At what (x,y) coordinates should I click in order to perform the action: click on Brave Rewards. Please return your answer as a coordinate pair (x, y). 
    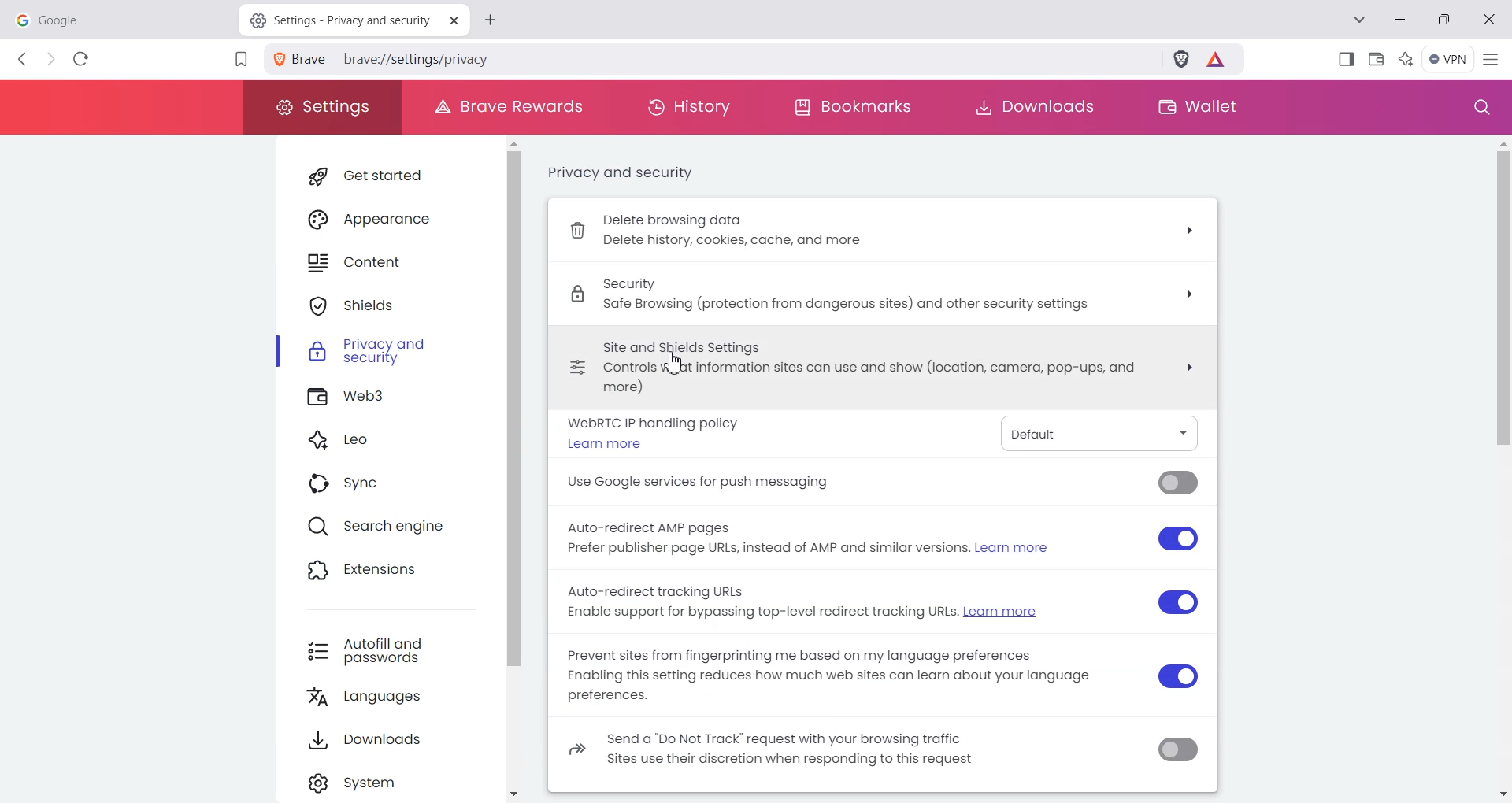
    Looking at the image, I should click on (504, 107).